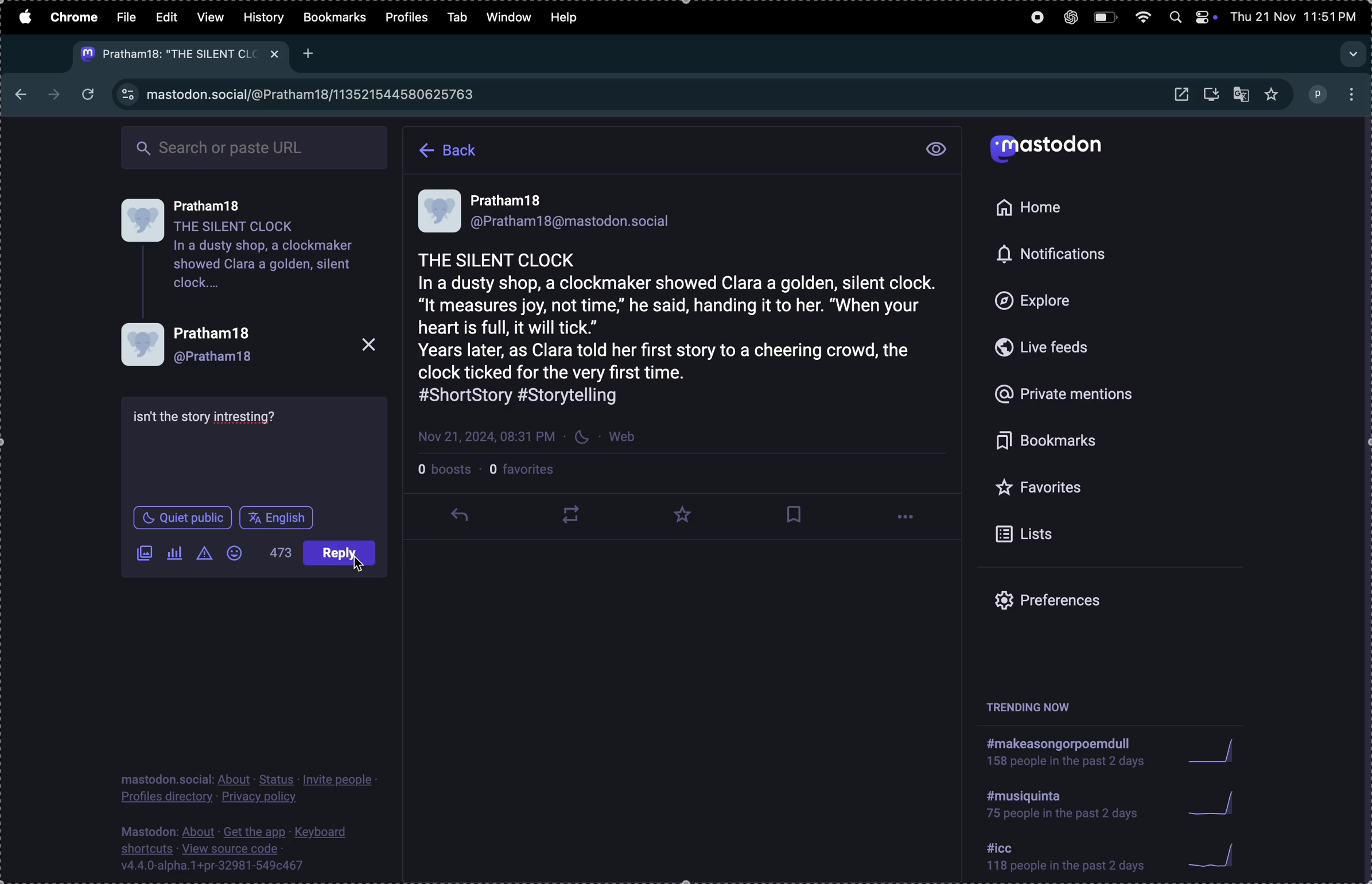 This screenshot has width=1372, height=884. I want to click on search tabs, so click(1351, 50).